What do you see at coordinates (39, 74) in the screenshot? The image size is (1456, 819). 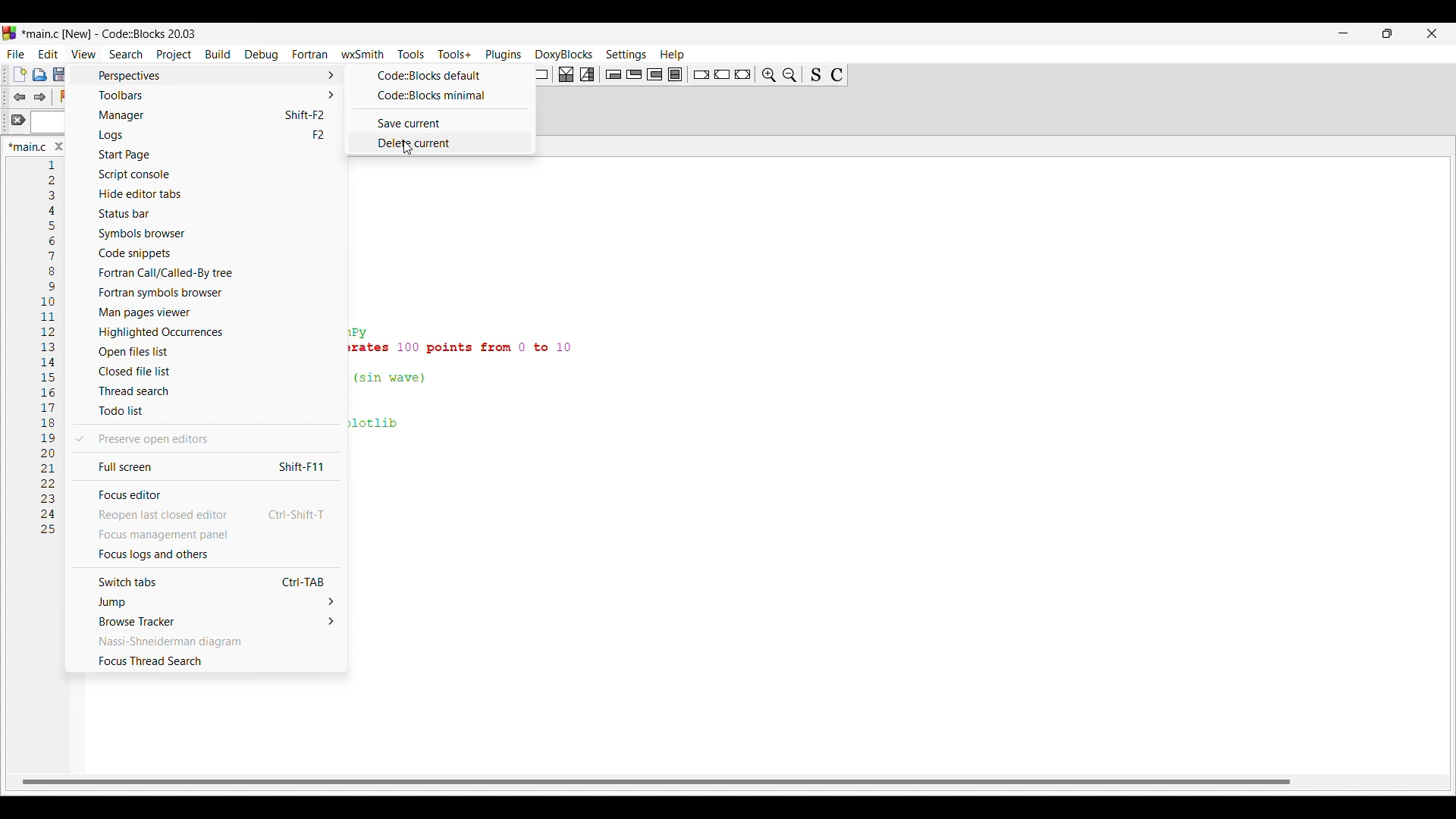 I see `Open` at bounding box center [39, 74].